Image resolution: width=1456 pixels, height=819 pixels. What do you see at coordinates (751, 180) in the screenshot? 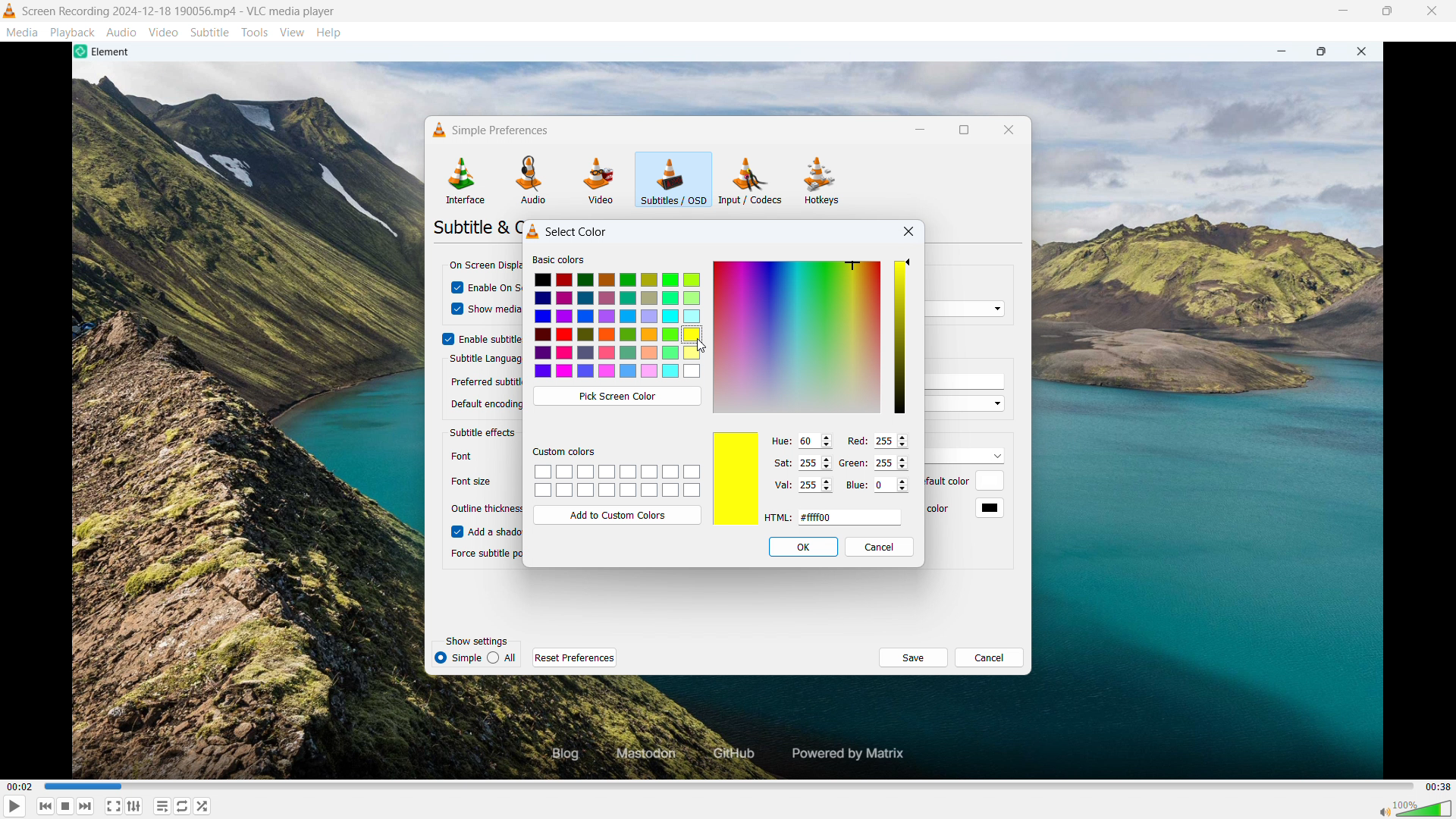
I see `Input or codecs ` at bounding box center [751, 180].